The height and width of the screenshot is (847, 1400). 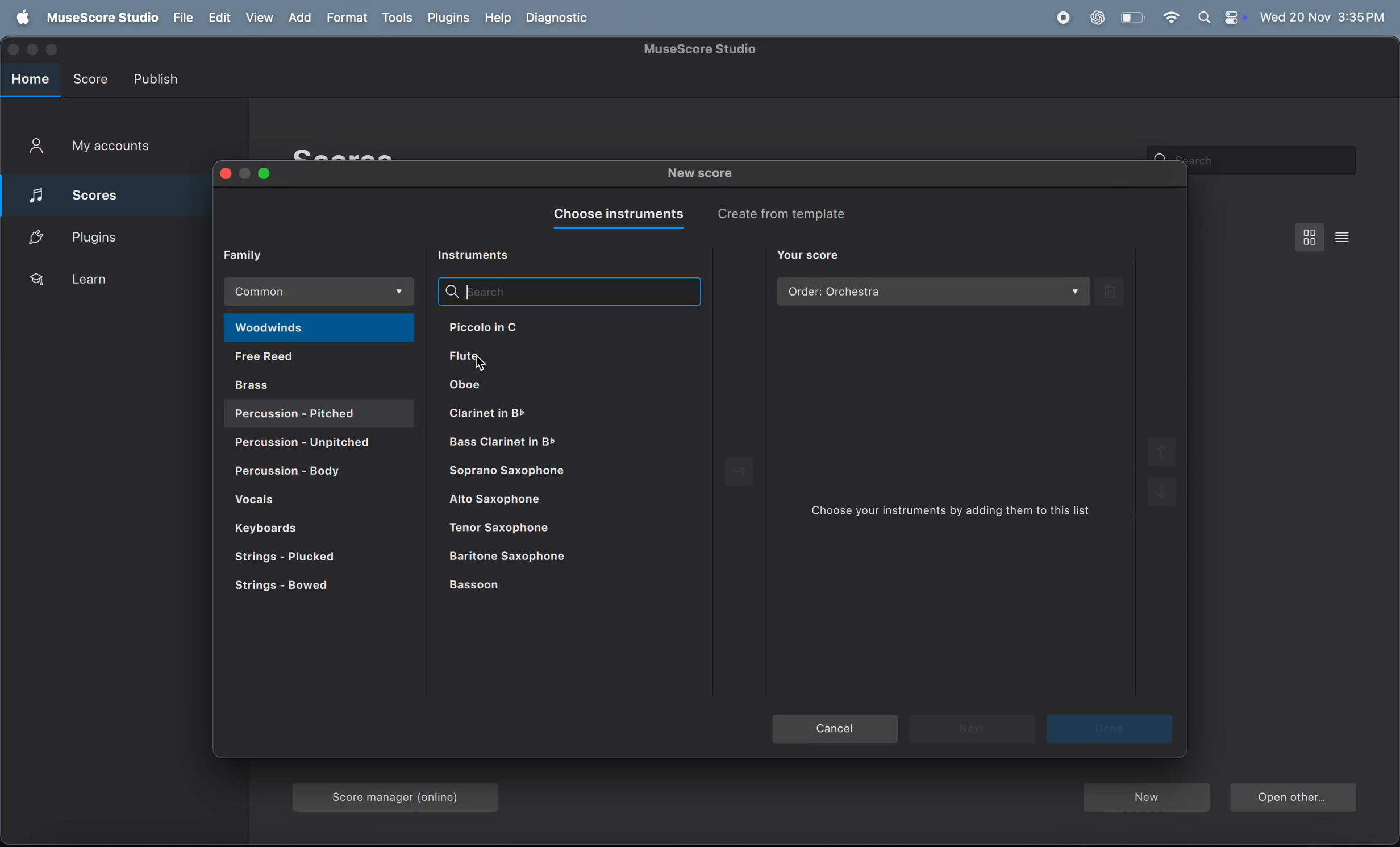 I want to click on new score, so click(x=704, y=175).